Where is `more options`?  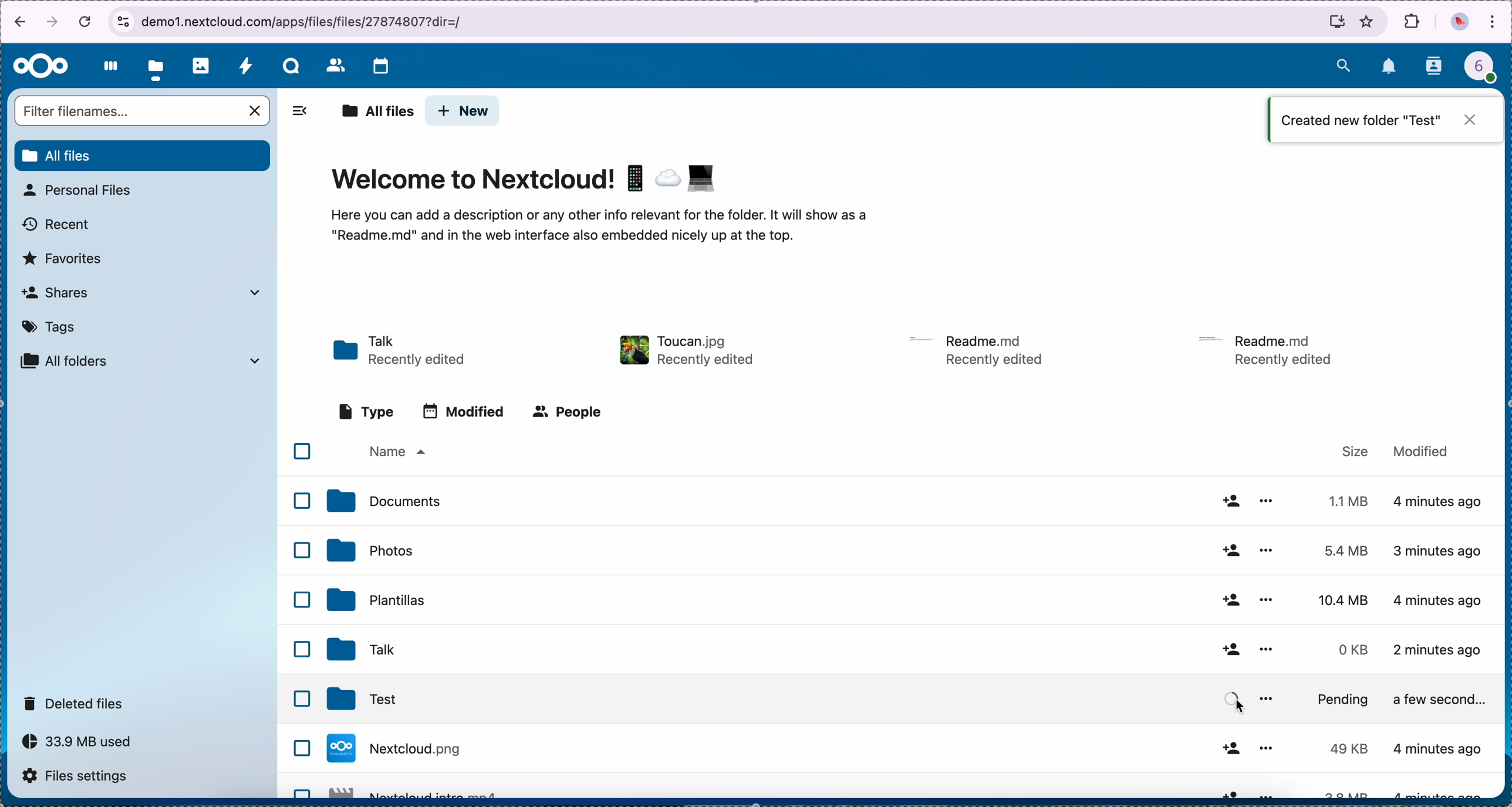 more options is located at coordinates (1264, 598).